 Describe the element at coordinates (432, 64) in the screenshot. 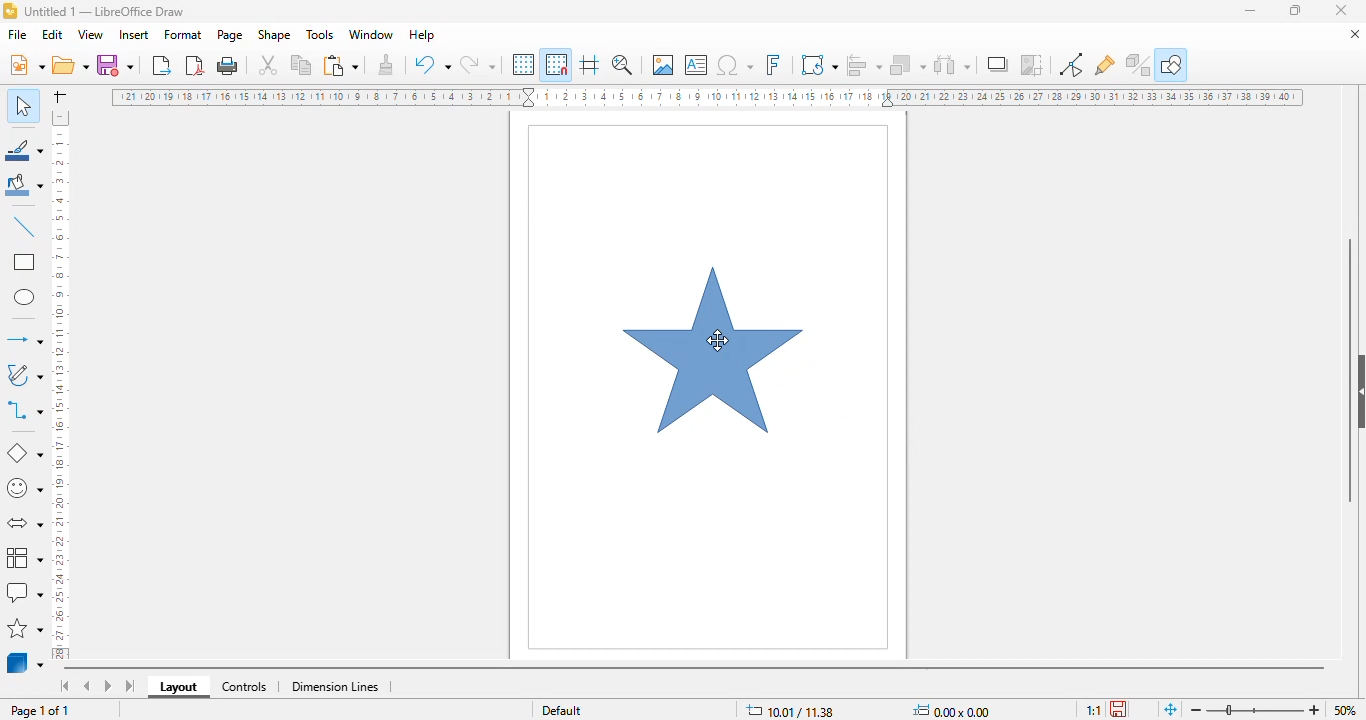

I see `undo` at that location.